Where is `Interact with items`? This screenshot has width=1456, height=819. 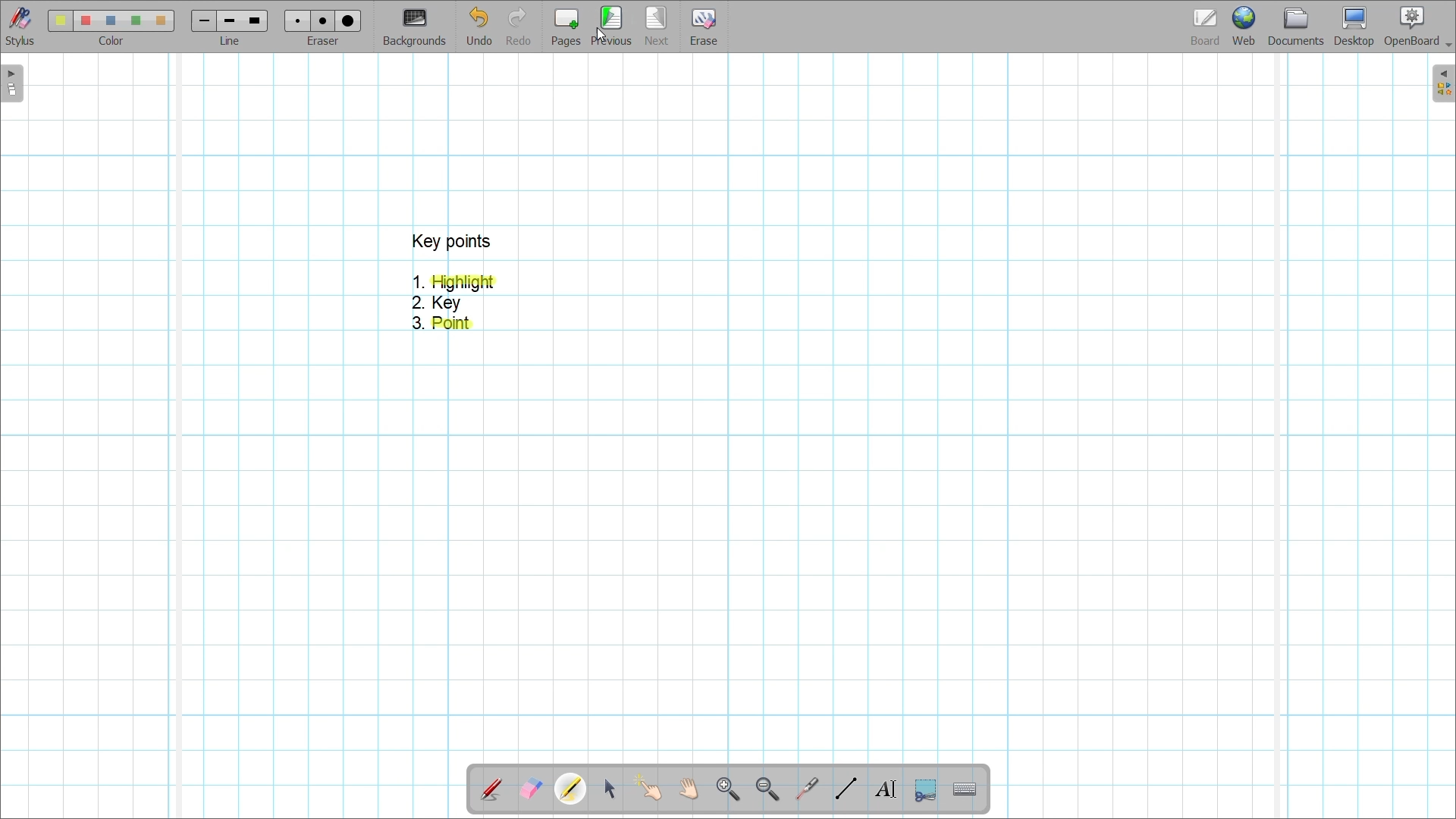 Interact with items is located at coordinates (648, 788).